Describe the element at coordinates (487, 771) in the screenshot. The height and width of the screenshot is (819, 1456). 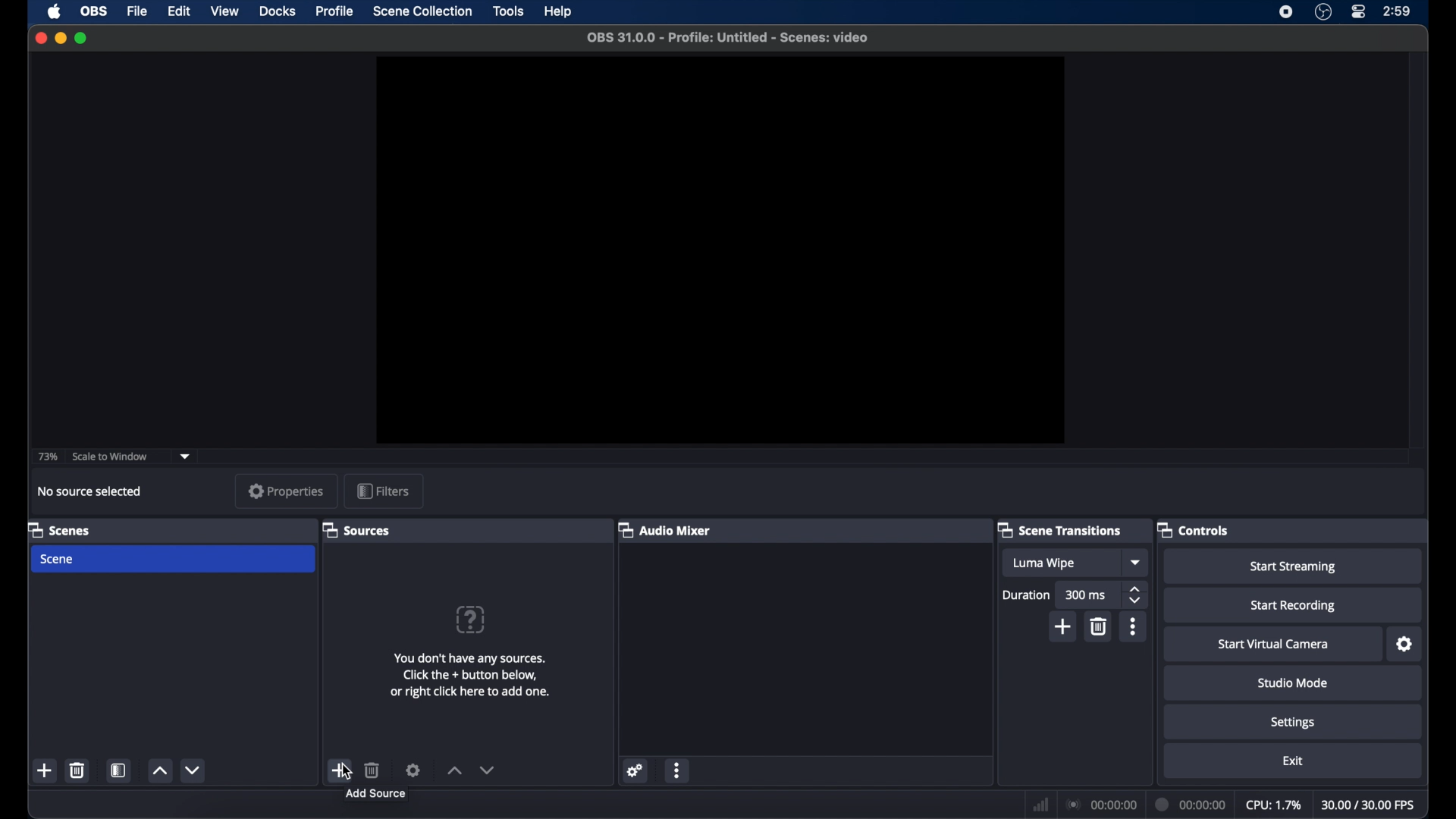
I see `decrement` at that location.